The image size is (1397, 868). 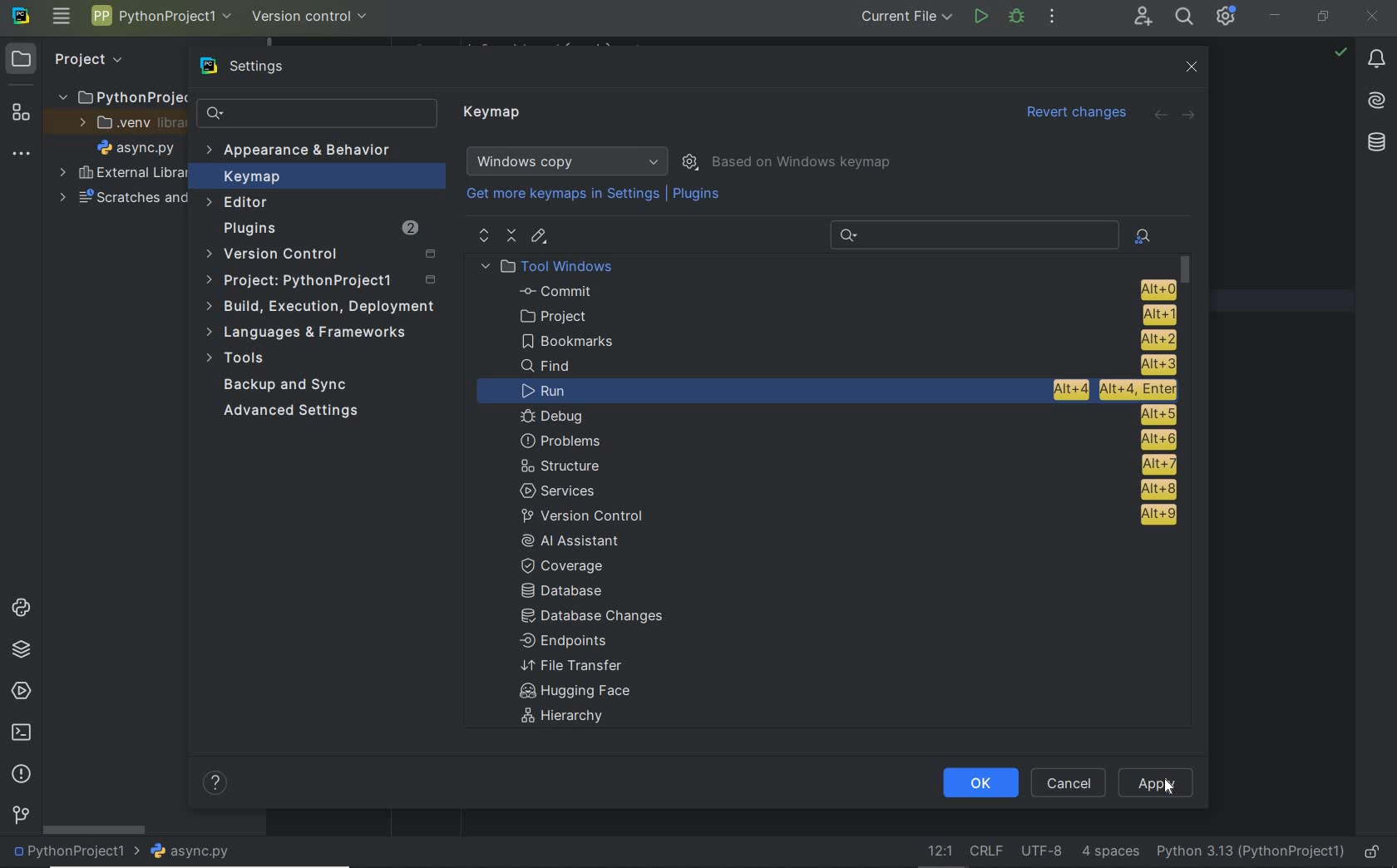 What do you see at coordinates (582, 540) in the screenshot?
I see `AI Assistant` at bounding box center [582, 540].